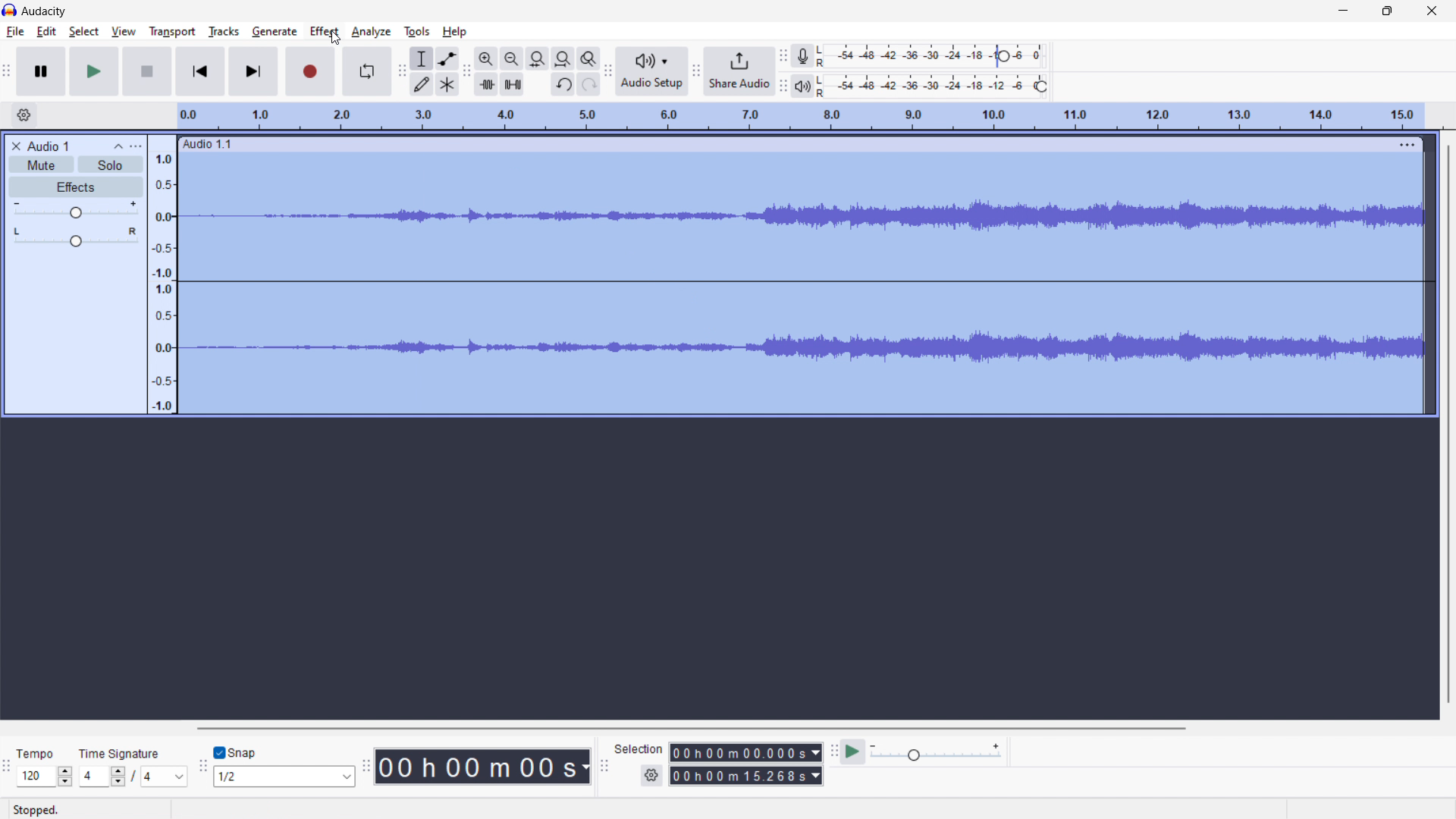  Describe the element at coordinates (604, 763) in the screenshot. I see `selection toolbar` at that location.